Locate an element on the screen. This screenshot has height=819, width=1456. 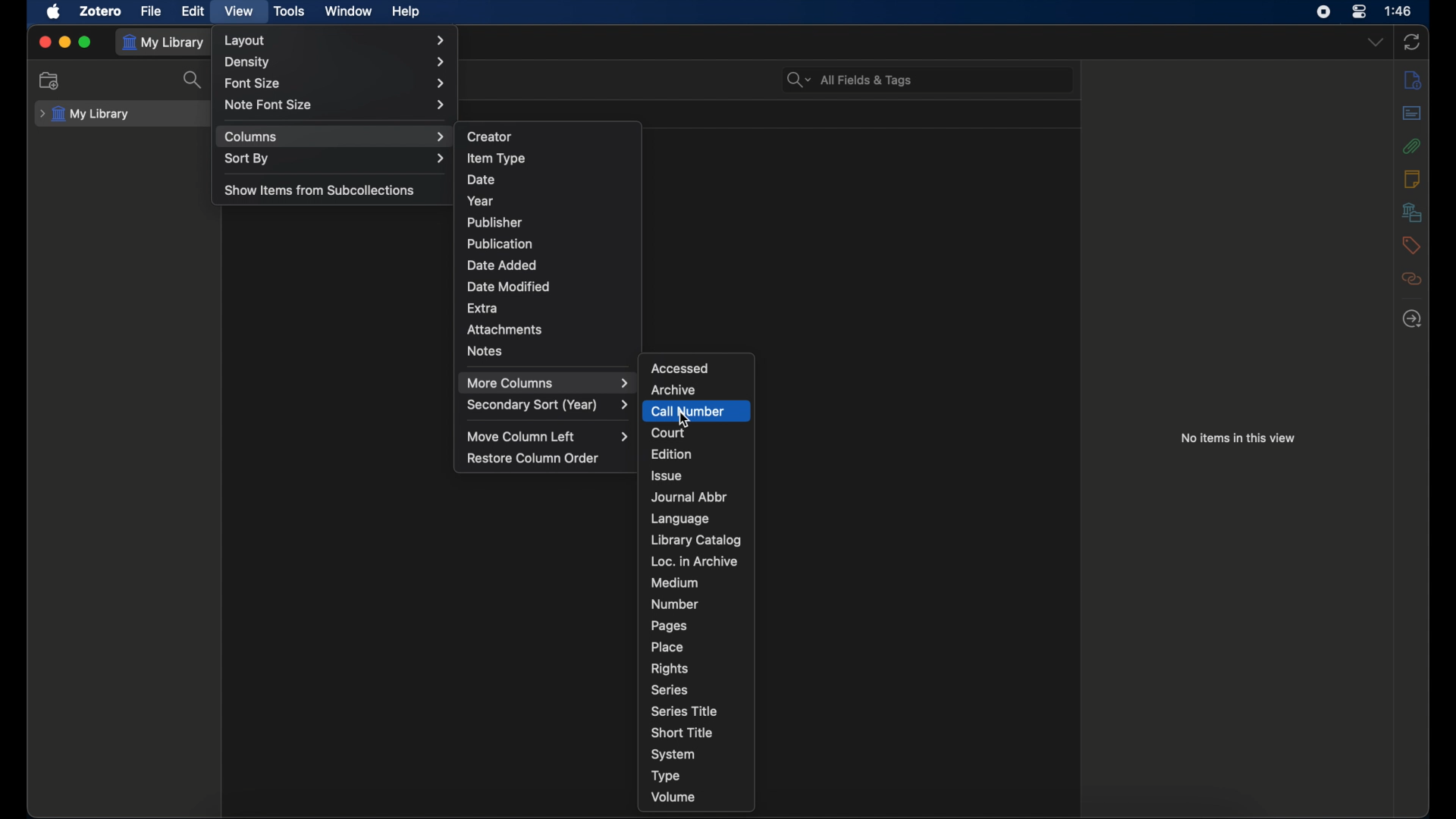
publisher is located at coordinates (495, 222).